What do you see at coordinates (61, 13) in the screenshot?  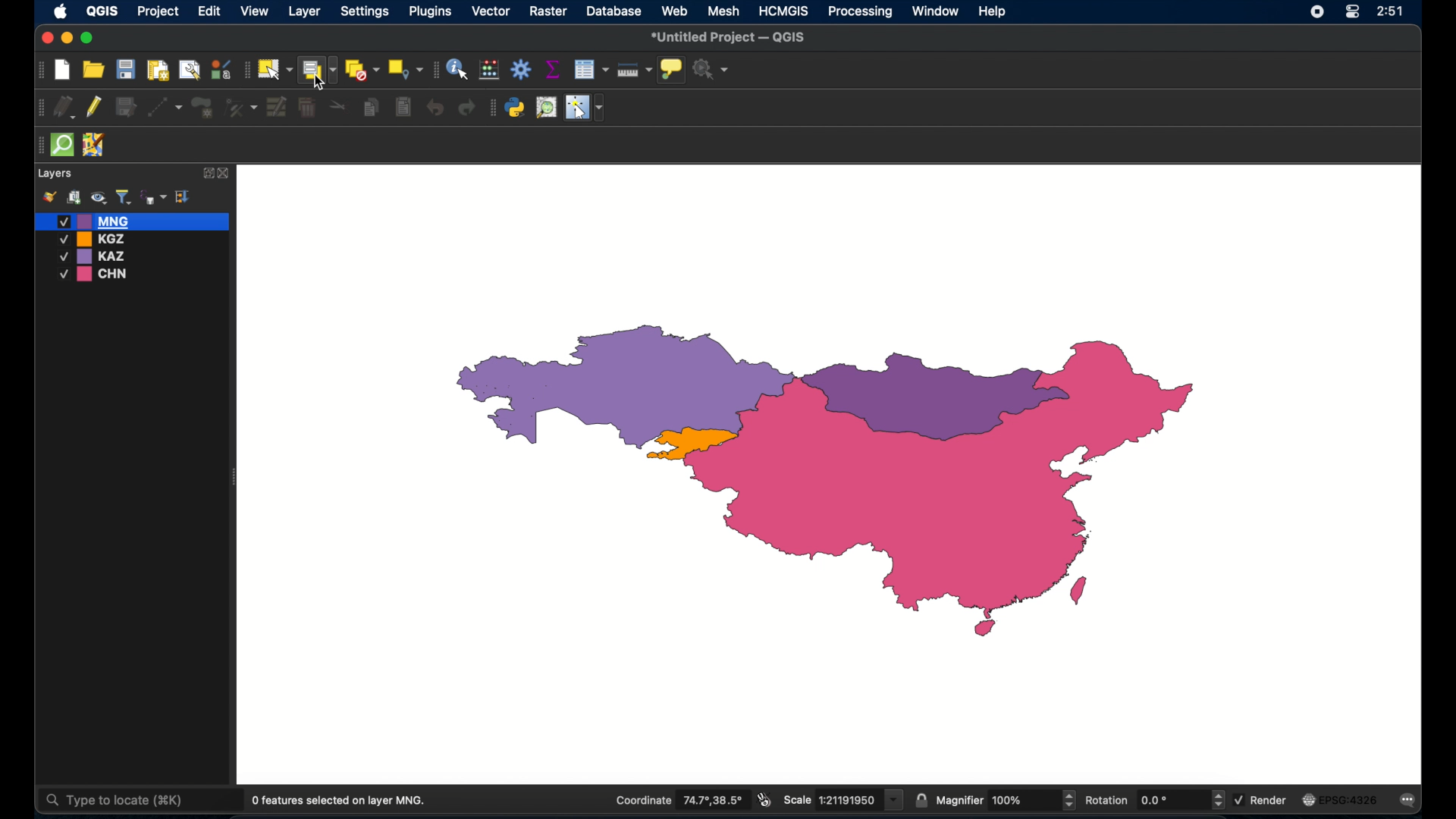 I see `apple icon` at bounding box center [61, 13].